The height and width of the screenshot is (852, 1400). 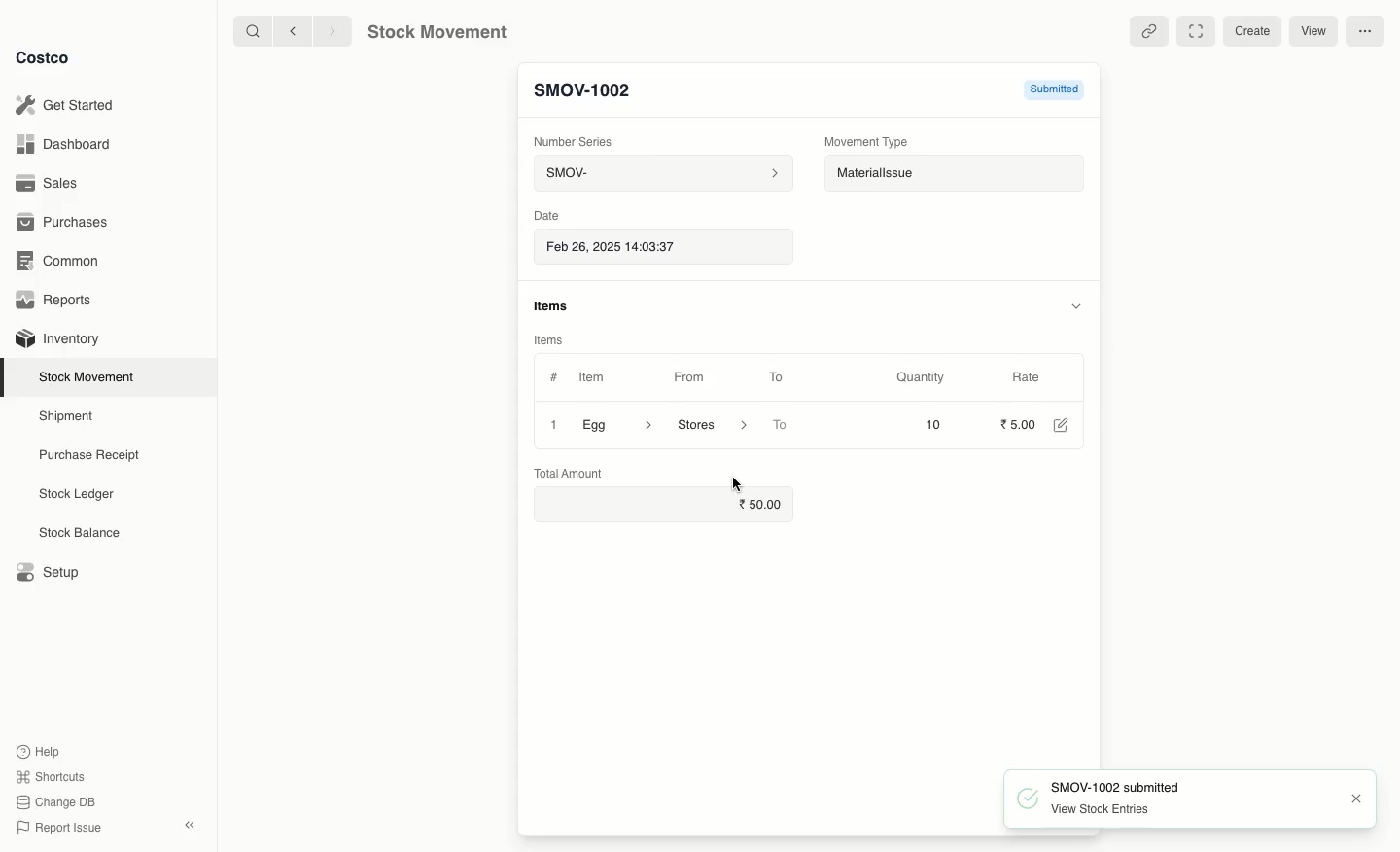 What do you see at coordinates (67, 417) in the screenshot?
I see `Shipment` at bounding box center [67, 417].